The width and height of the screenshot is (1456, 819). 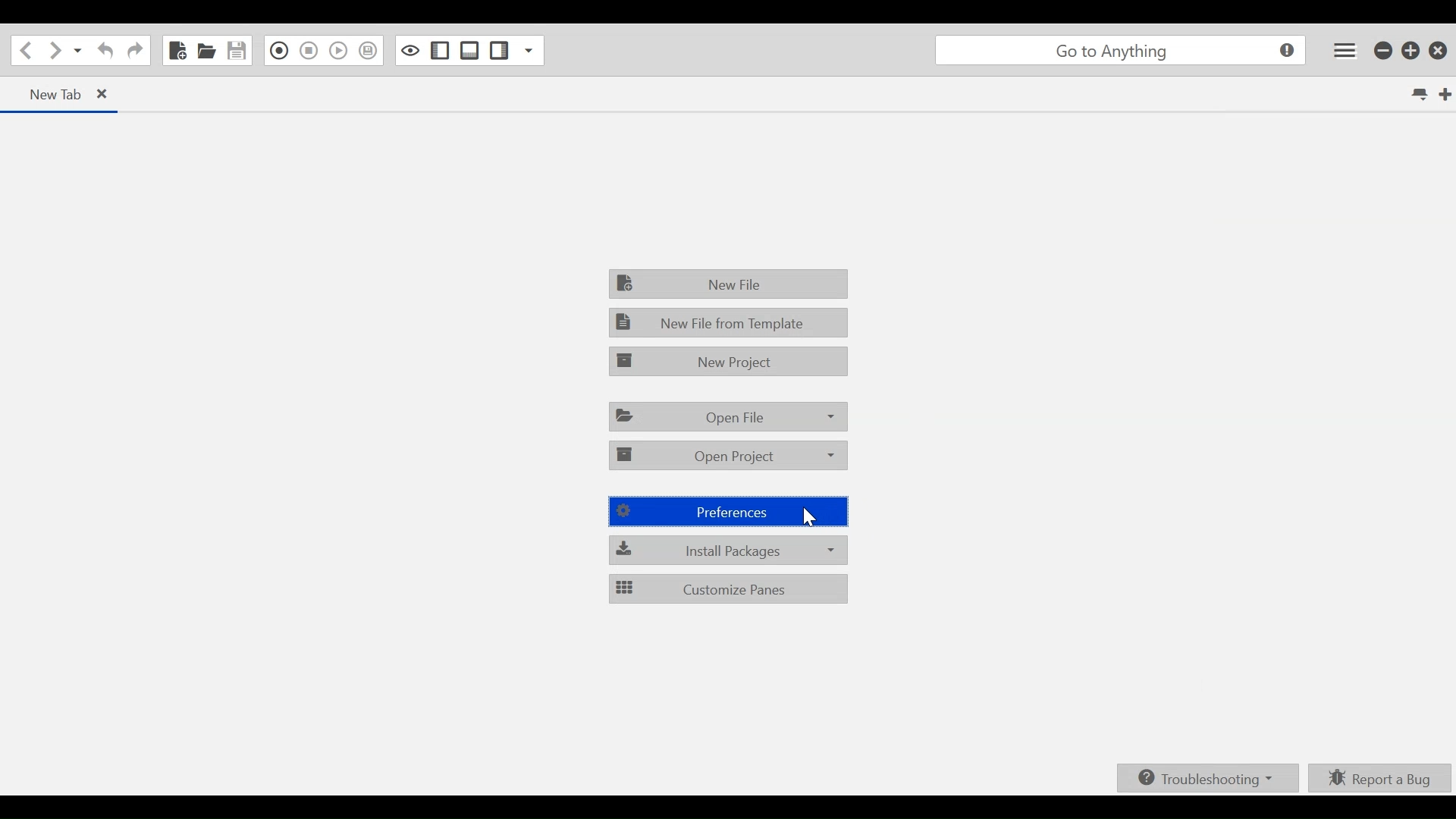 What do you see at coordinates (469, 50) in the screenshot?
I see `Show/Hide Bottom Pane` at bounding box center [469, 50].